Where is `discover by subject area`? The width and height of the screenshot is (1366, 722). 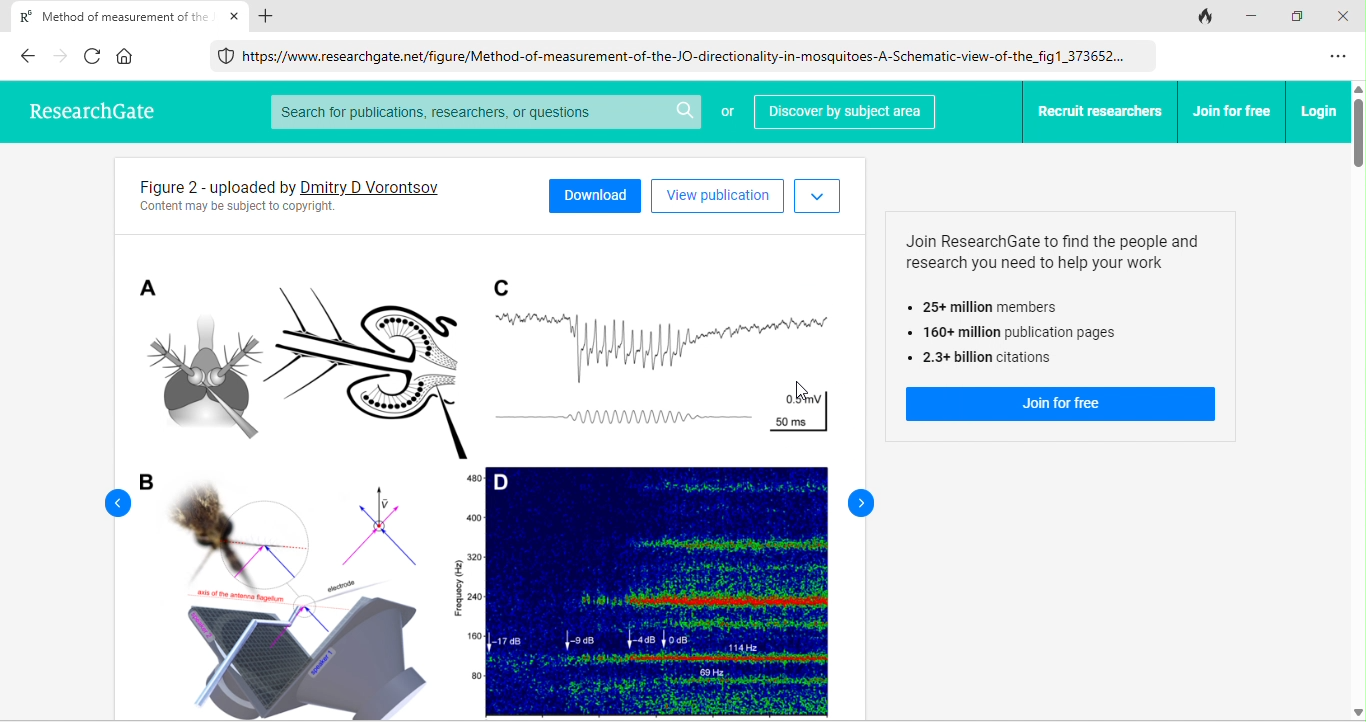 discover by subject area is located at coordinates (844, 113).